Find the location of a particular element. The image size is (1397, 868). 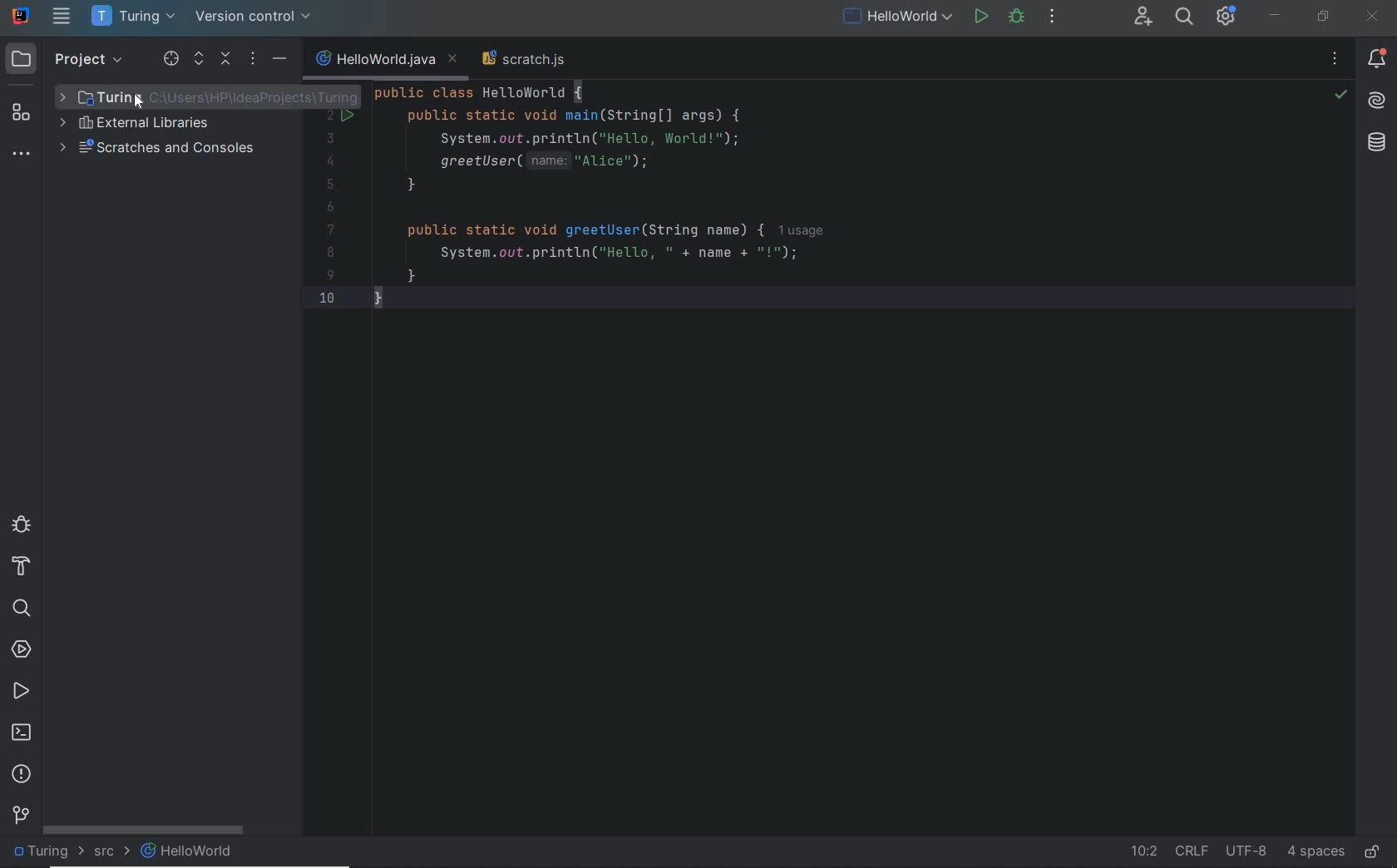

project name is located at coordinates (135, 17).